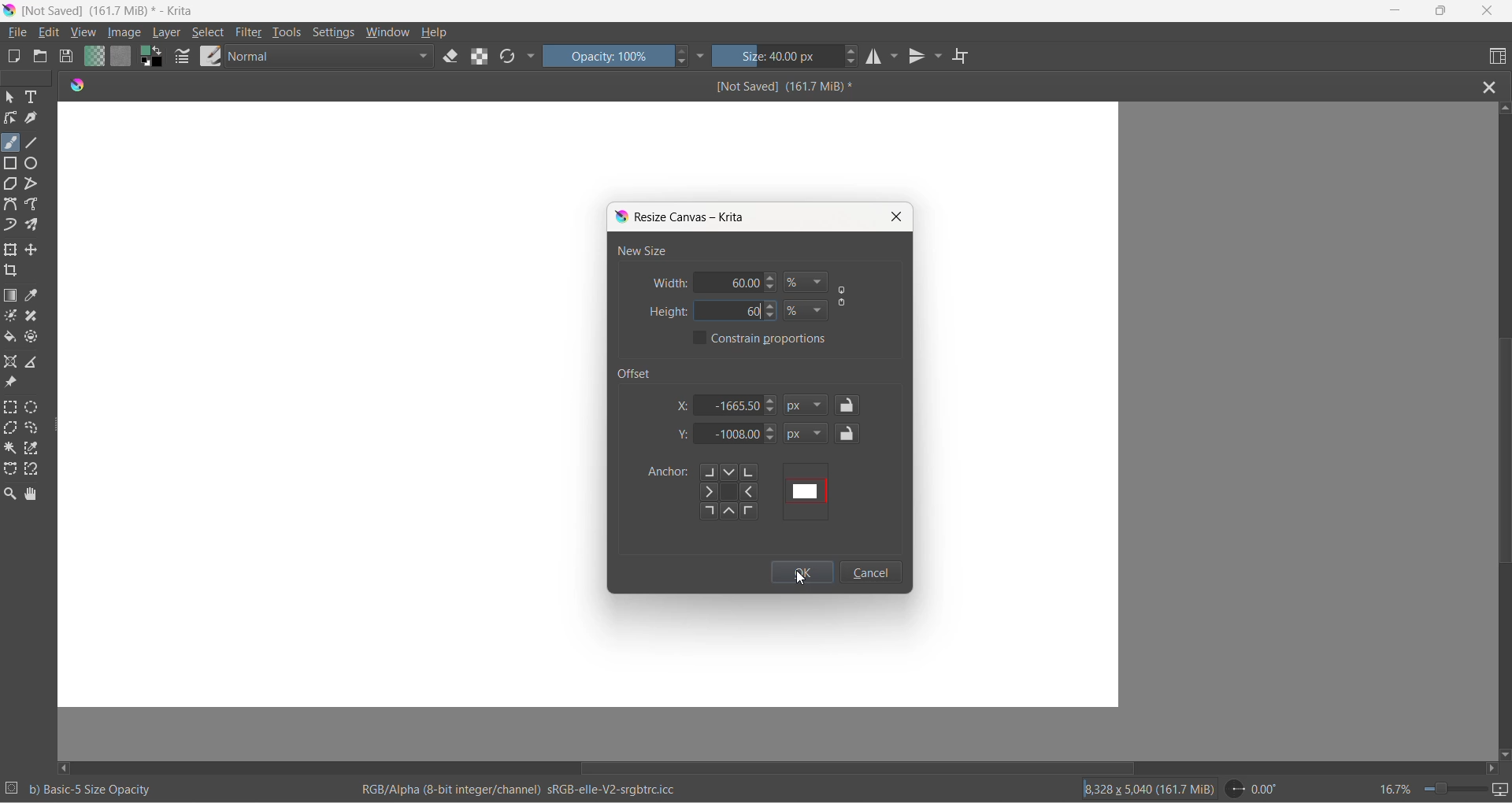 This screenshot has height=803, width=1512. Describe the element at coordinates (684, 217) in the screenshot. I see `resize canvas dialog box` at that location.